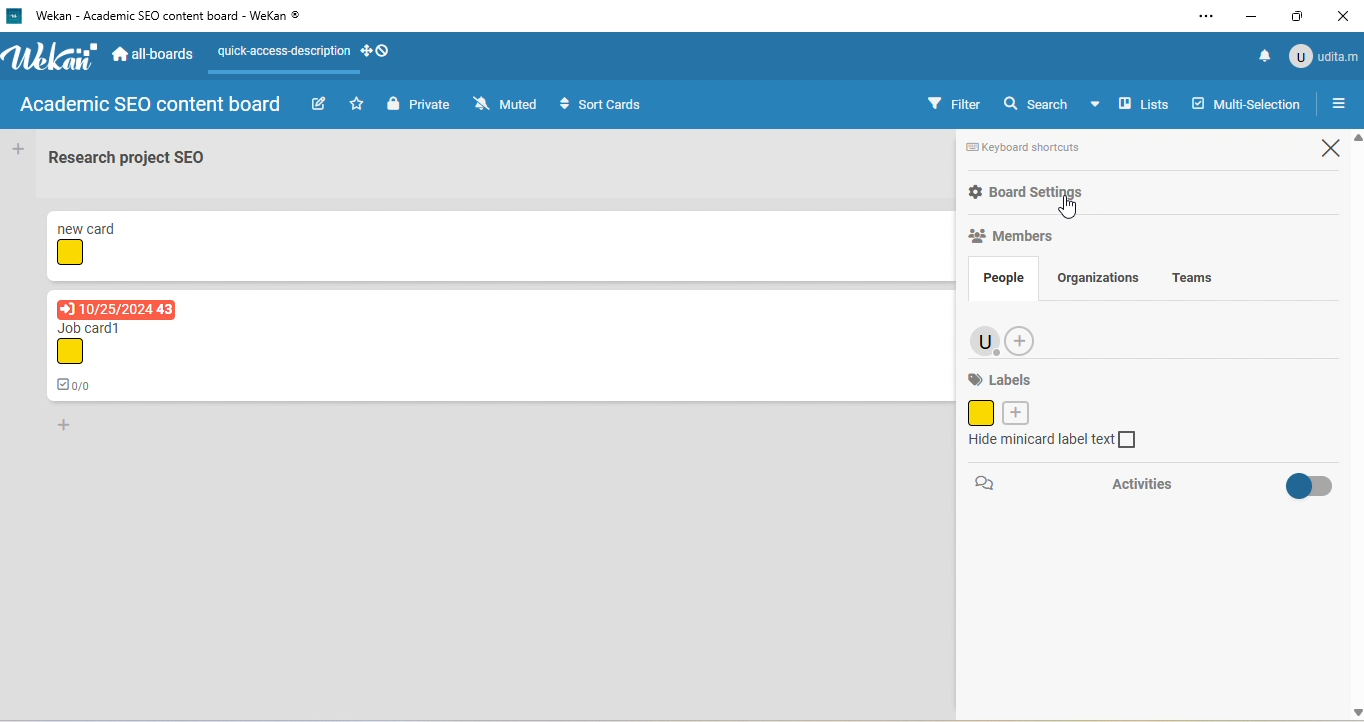  What do you see at coordinates (951, 103) in the screenshot?
I see `filter` at bounding box center [951, 103].